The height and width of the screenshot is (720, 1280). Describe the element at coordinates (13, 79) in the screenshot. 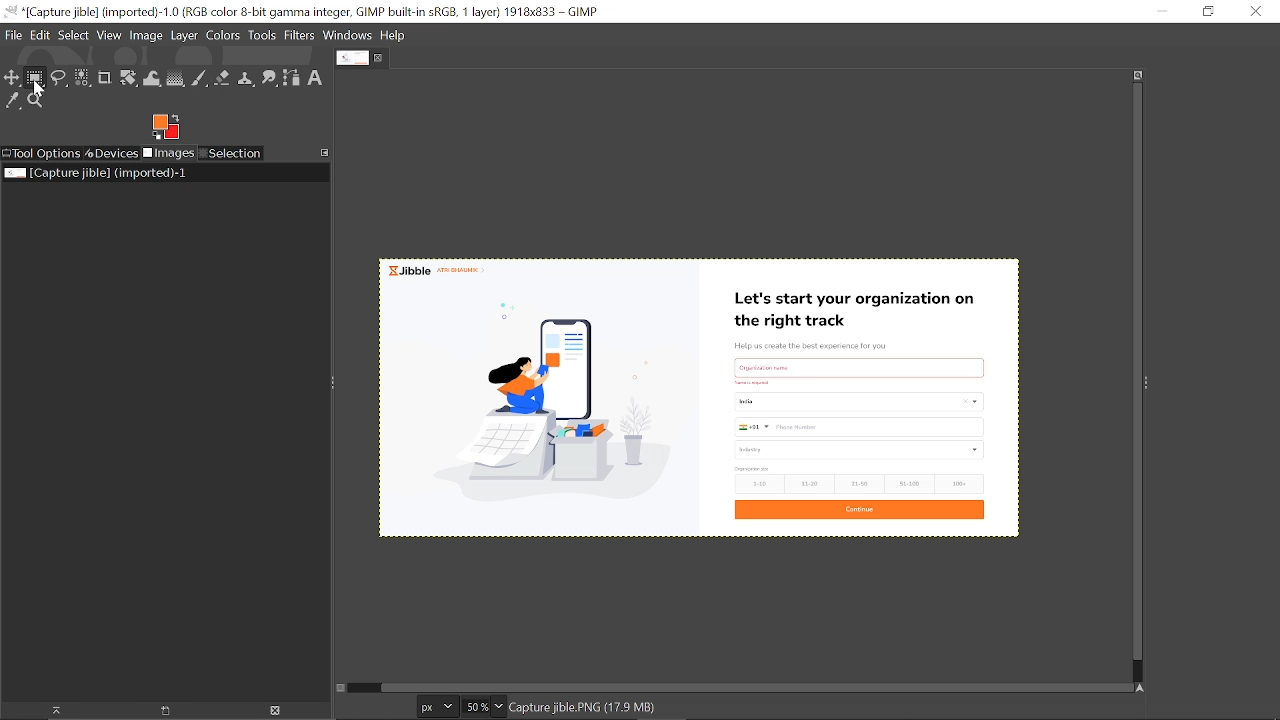

I see `Move tool` at that location.